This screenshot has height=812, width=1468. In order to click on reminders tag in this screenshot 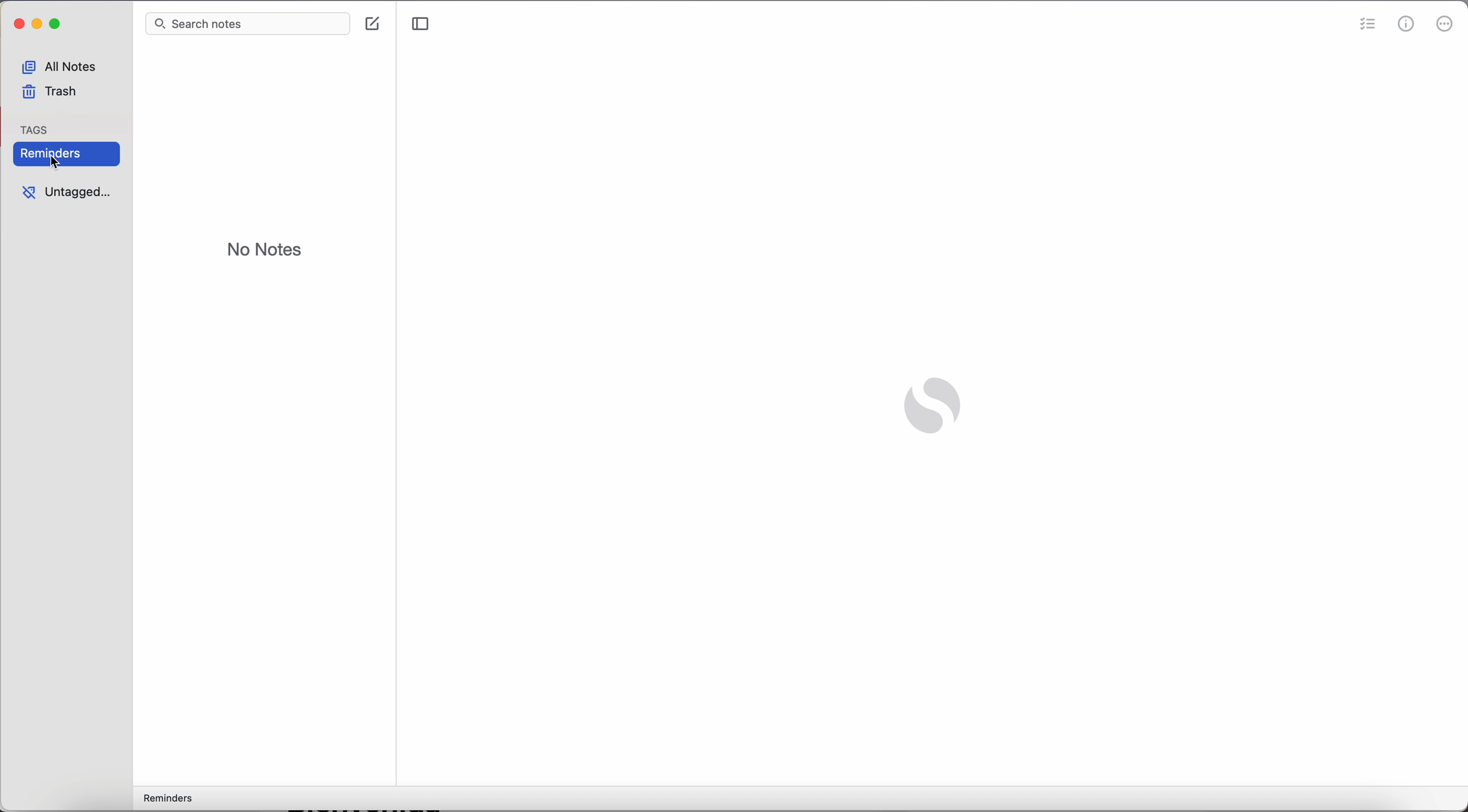, I will do `click(165, 799)`.